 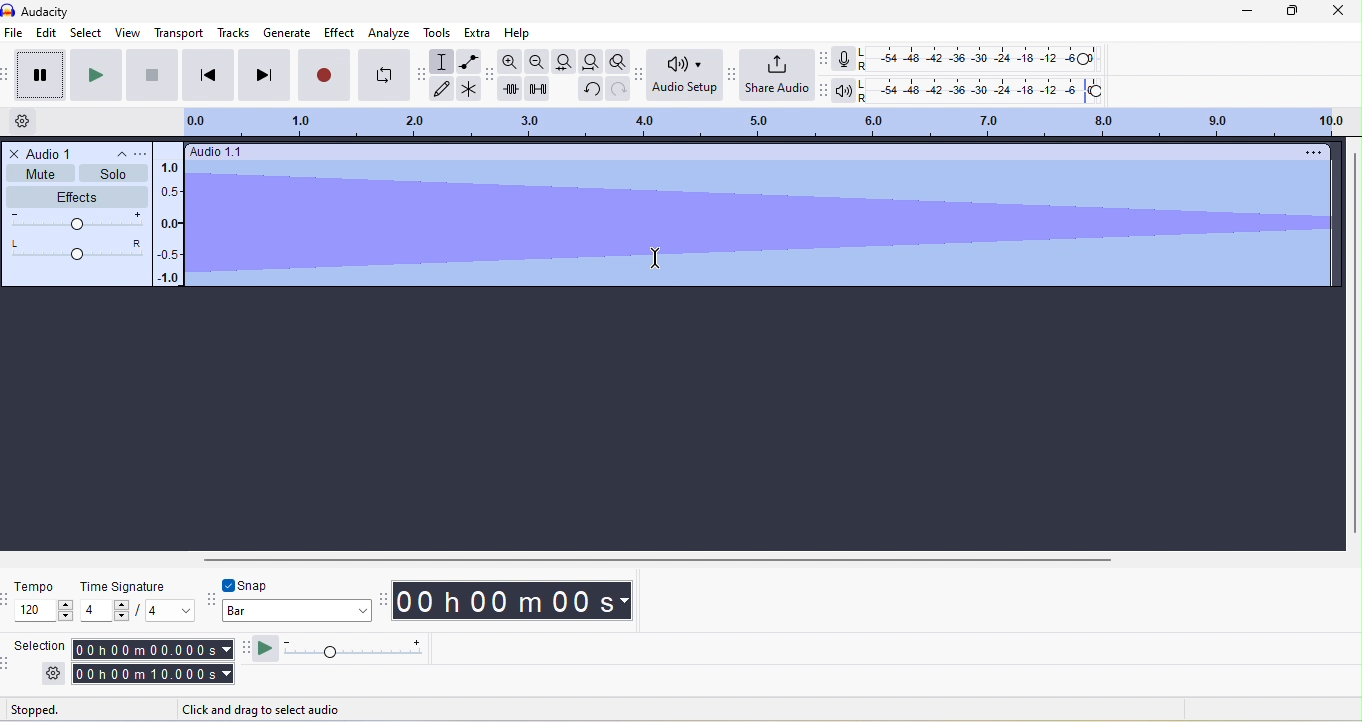 I want to click on tempo, so click(x=35, y=586).